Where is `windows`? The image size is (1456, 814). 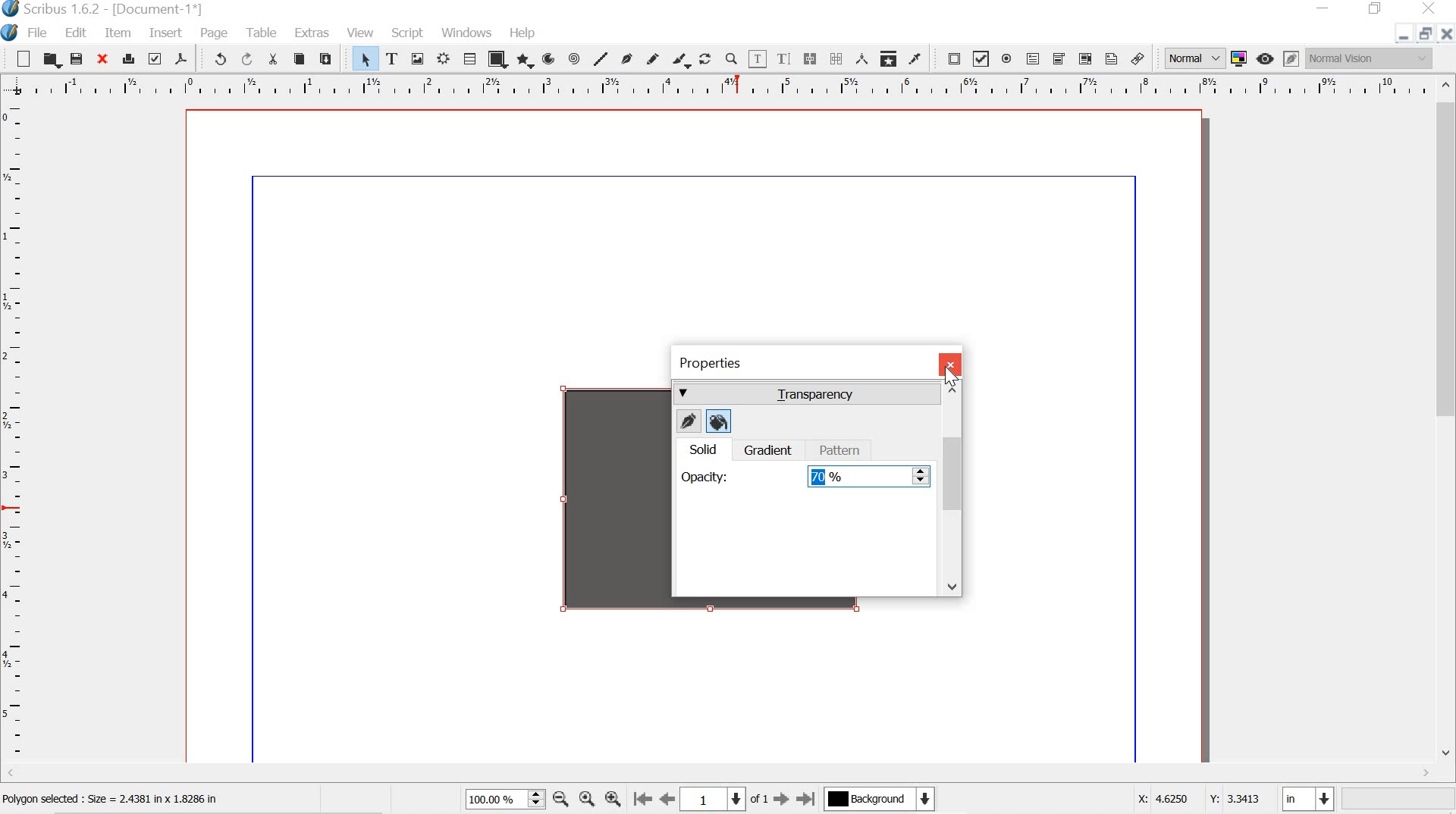
windows is located at coordinates (468, 32).